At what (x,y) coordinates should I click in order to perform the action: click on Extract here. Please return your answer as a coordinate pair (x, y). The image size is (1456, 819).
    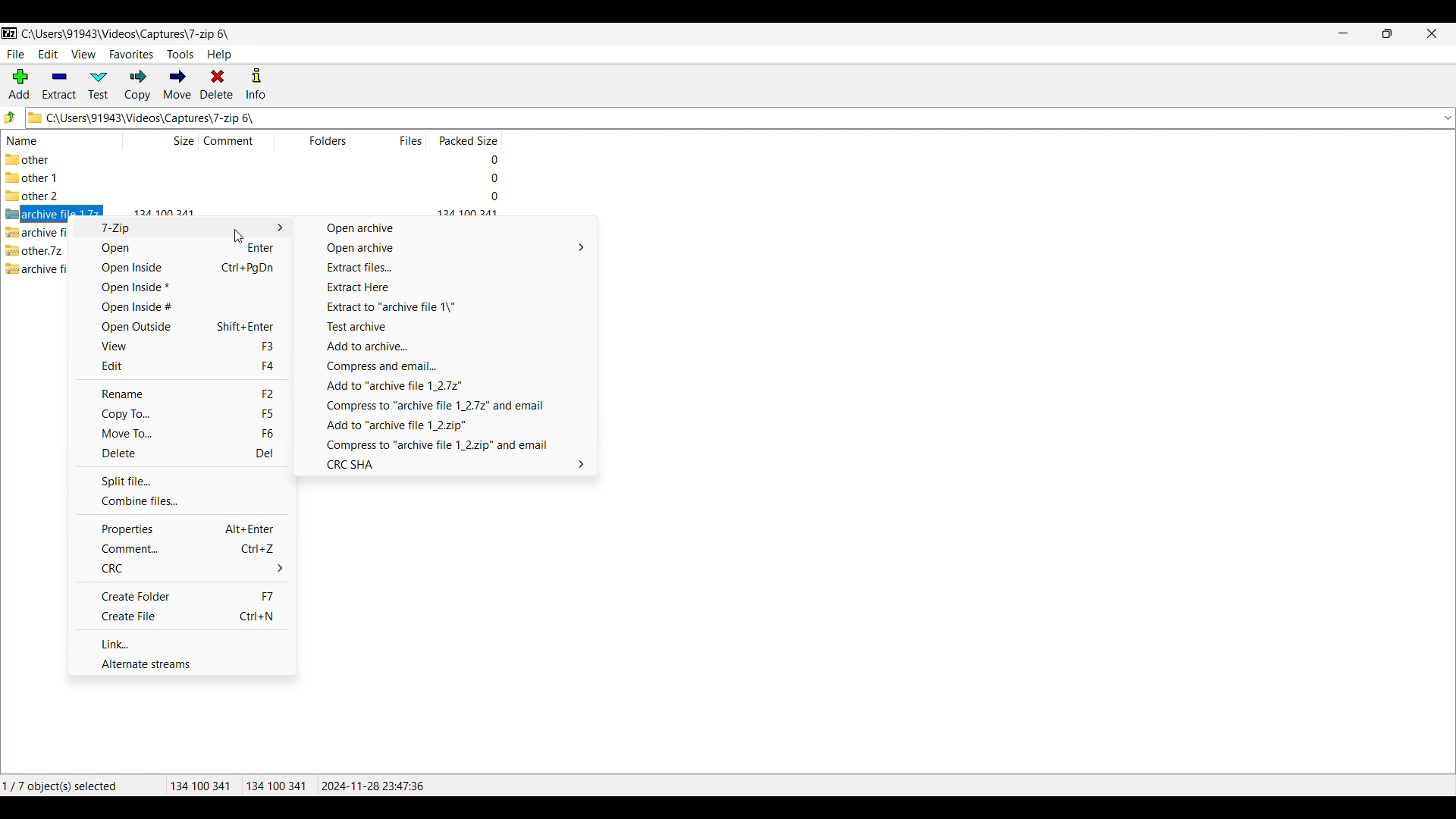
    Looking at the image, I should click on (447, 287).